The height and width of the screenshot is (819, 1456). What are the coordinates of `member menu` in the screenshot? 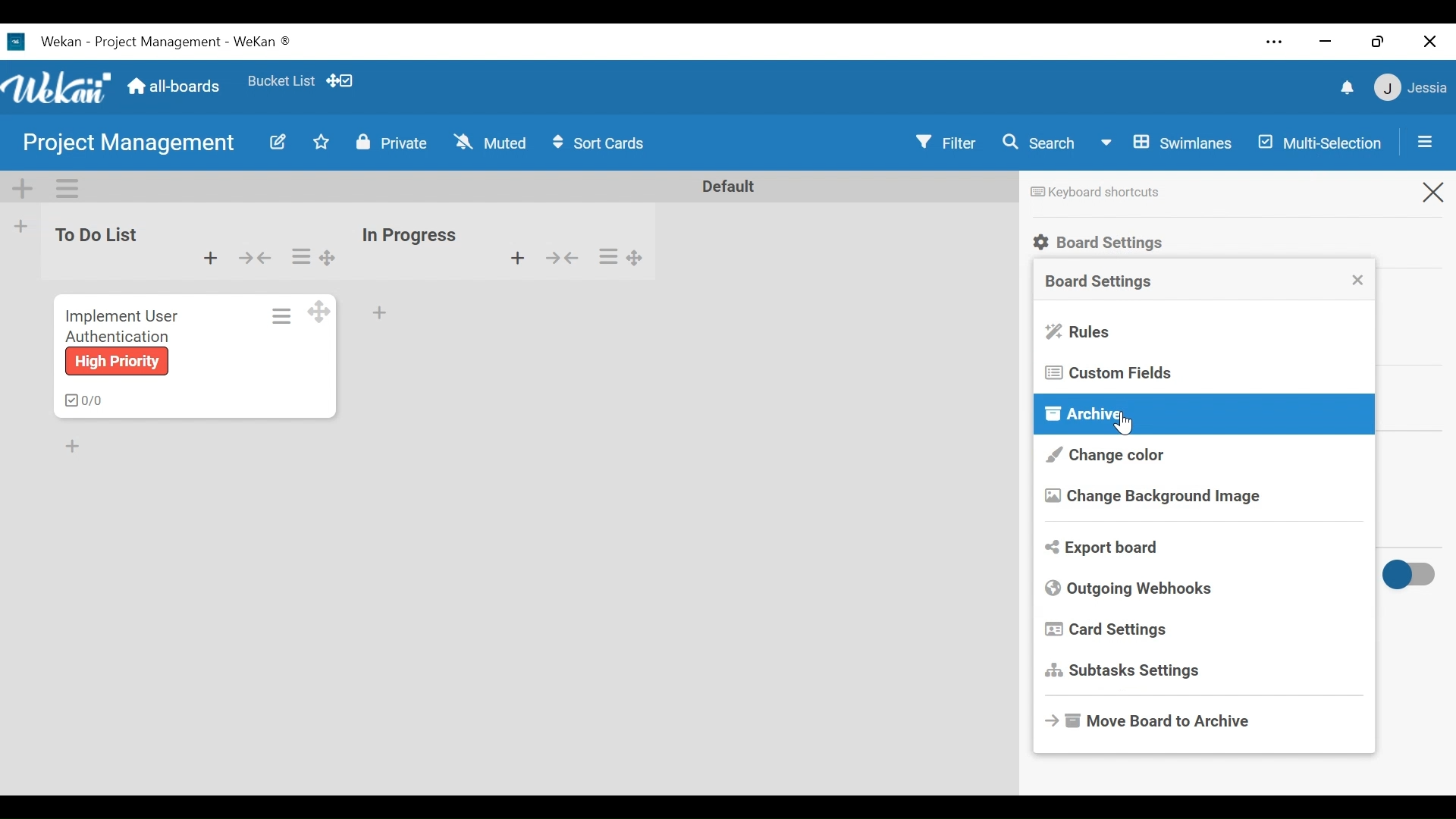 It's located at (1409, 86).